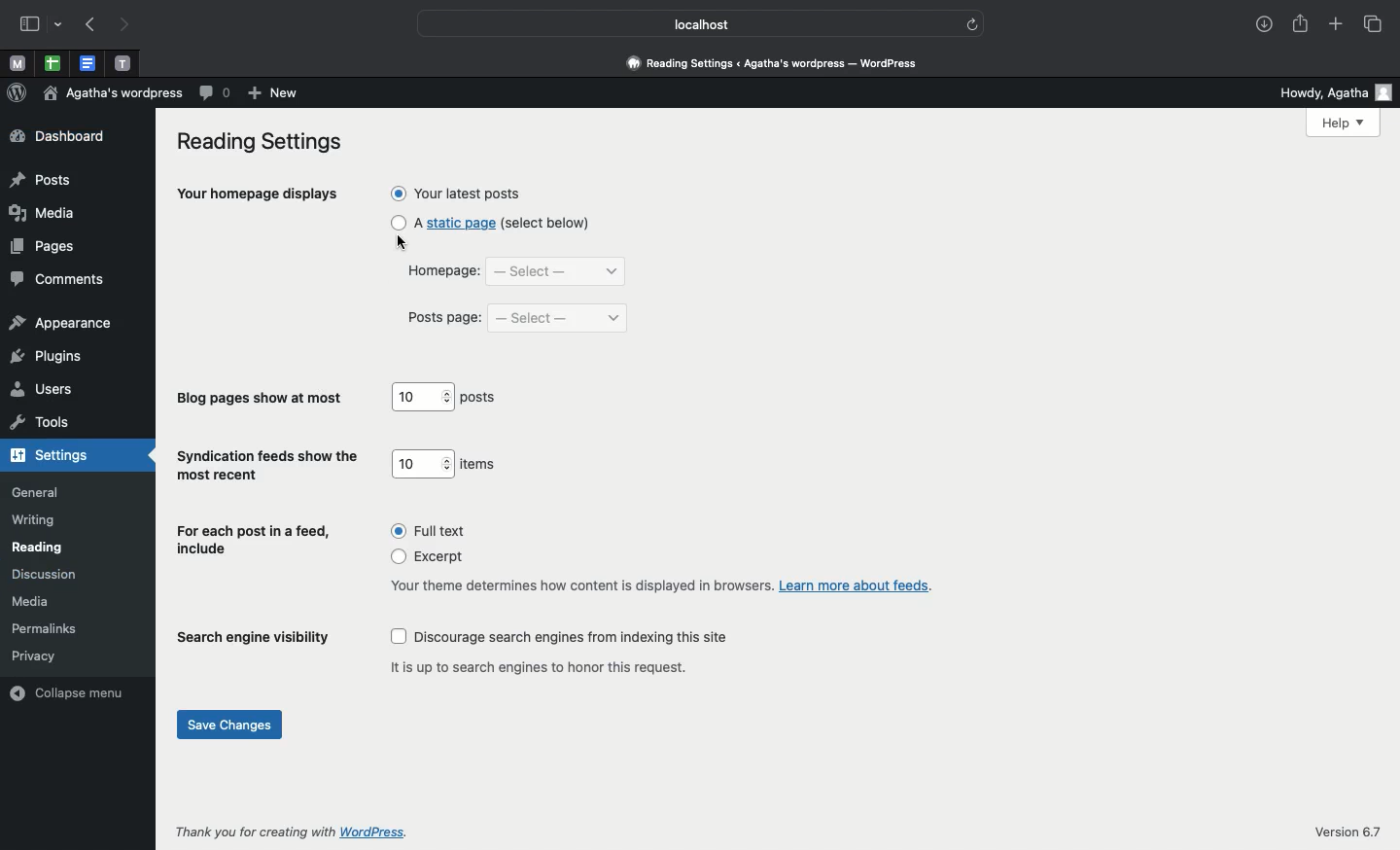  I want to click on Wordpress, so click(17, 91).